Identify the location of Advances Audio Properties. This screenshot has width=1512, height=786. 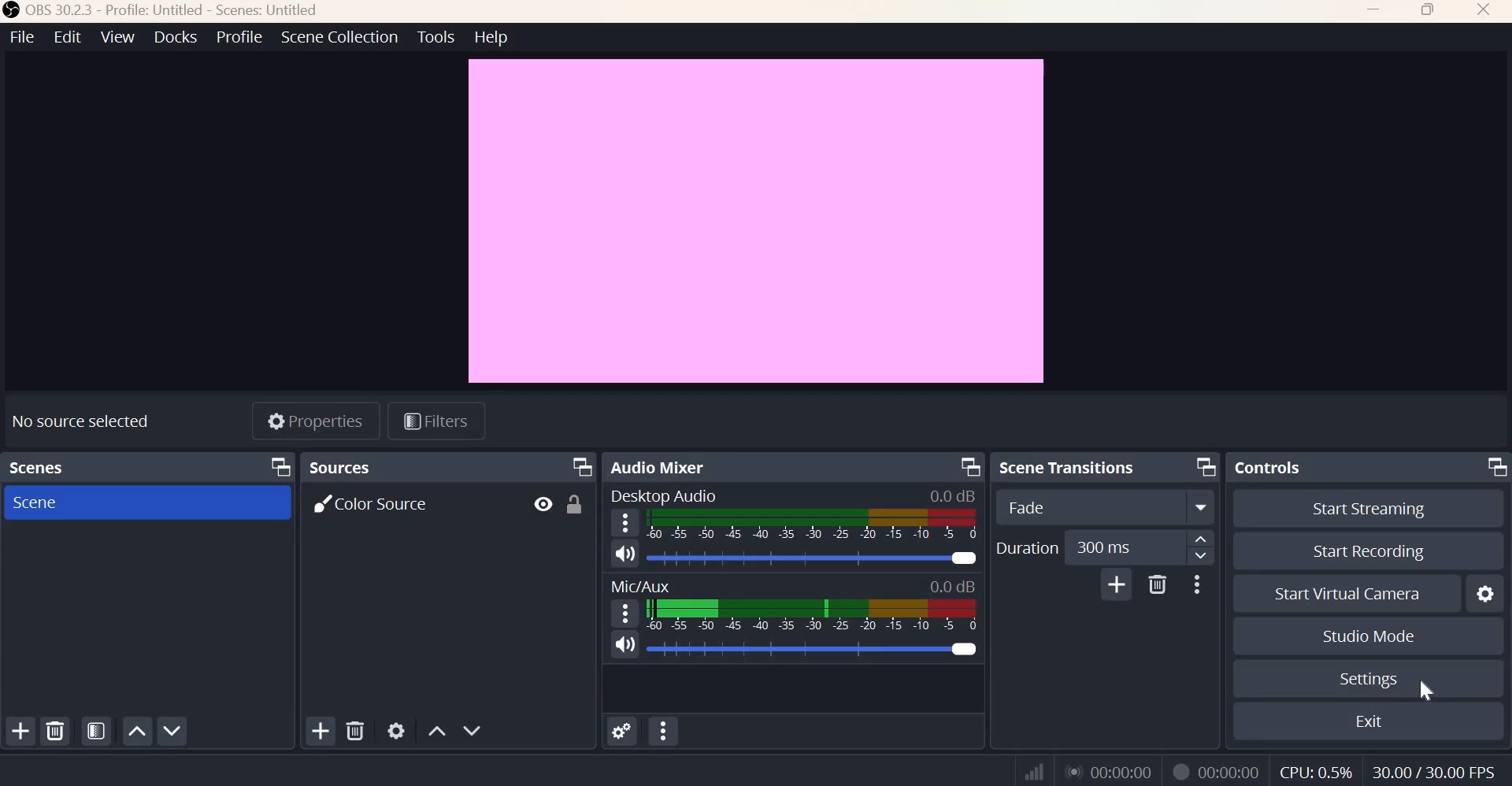
(622, 730).